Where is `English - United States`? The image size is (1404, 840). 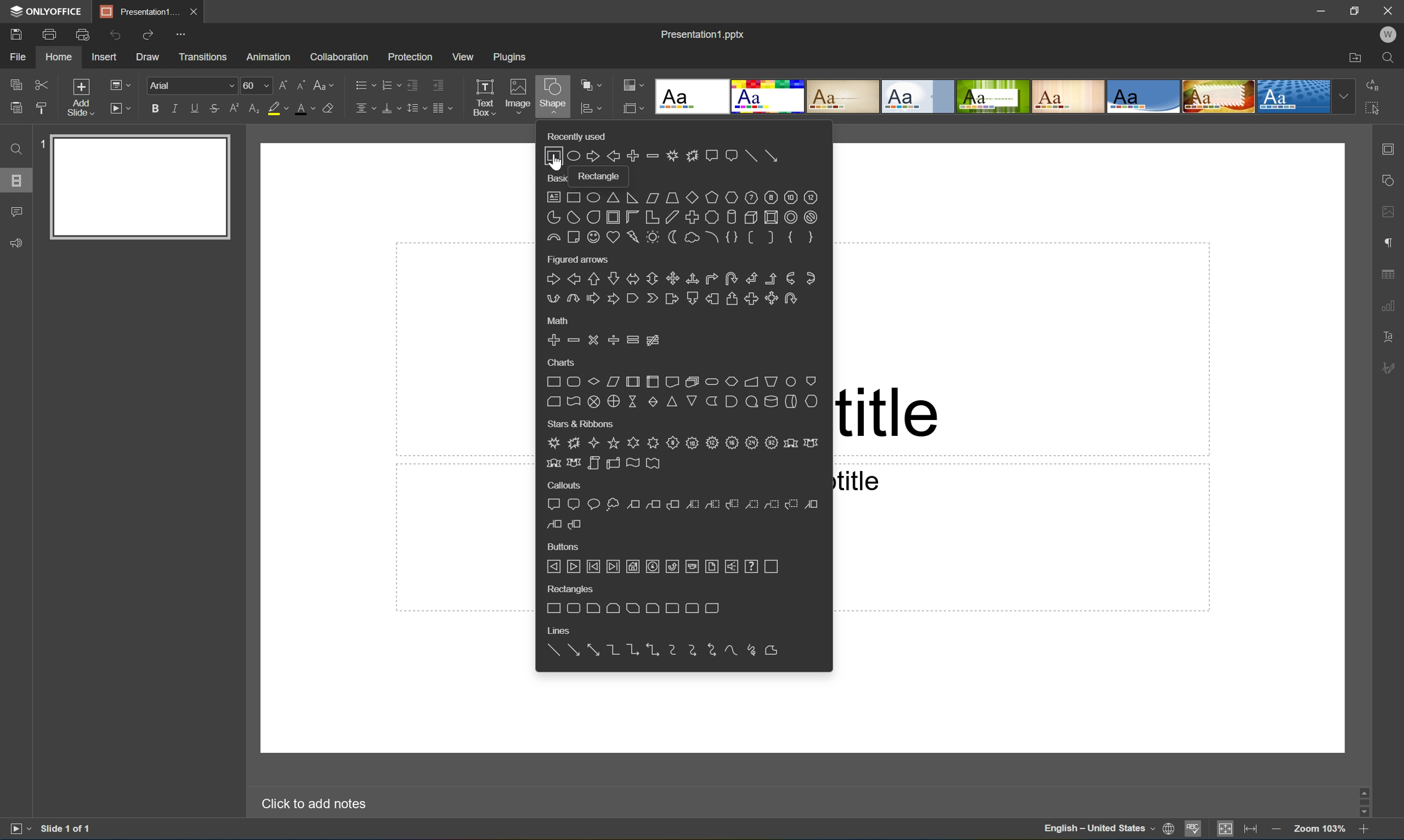
English - United States is located at coordinates (1099, 831).